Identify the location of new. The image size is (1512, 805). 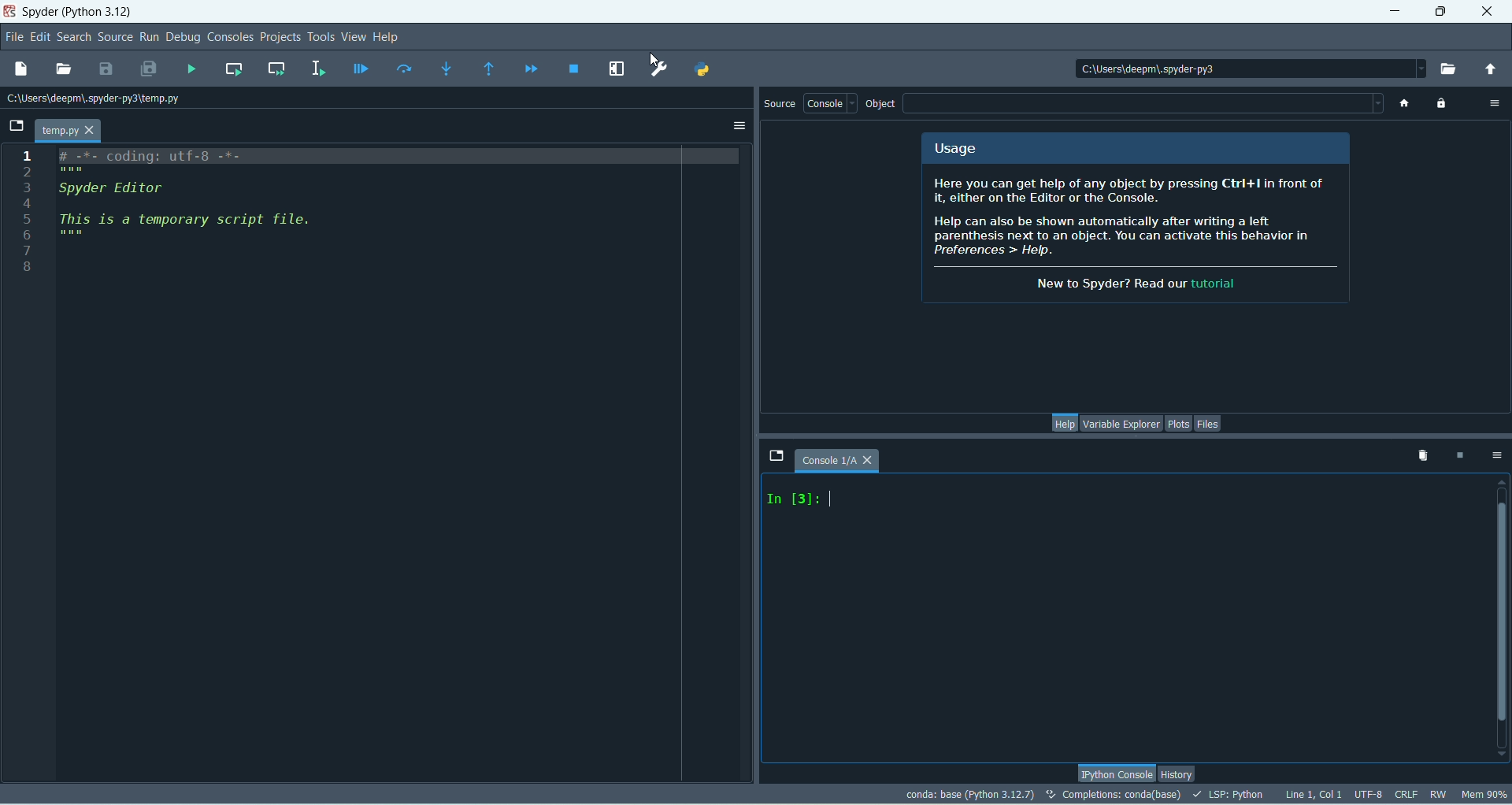
(21, 69).